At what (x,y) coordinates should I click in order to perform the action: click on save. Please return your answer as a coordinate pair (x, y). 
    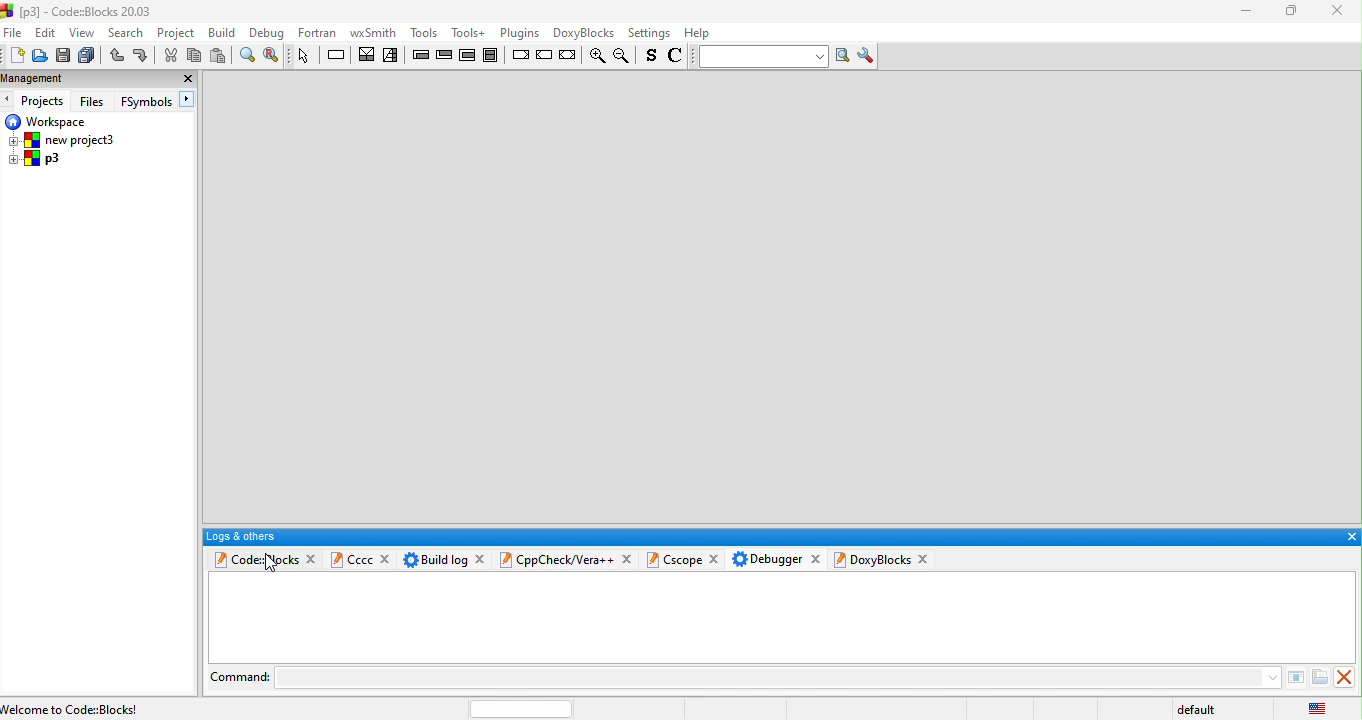
    Looking at the image, I should click on (62, 56).